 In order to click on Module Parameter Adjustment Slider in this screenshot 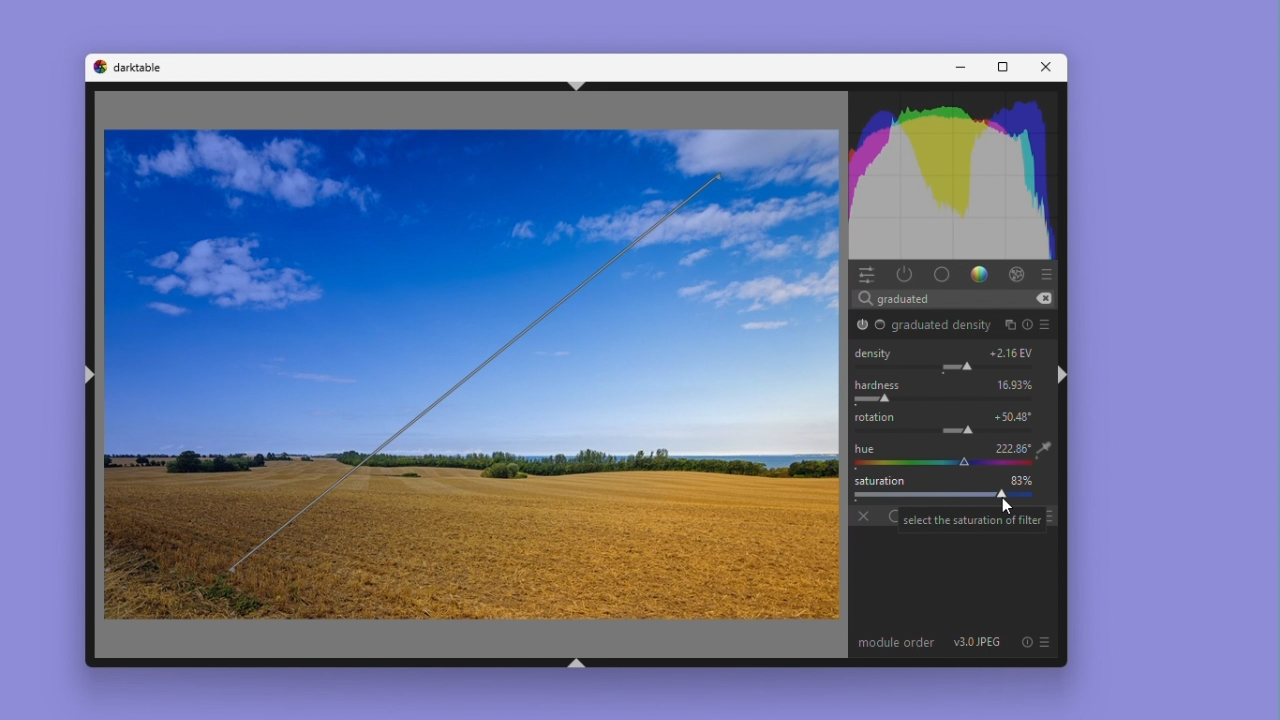, I will do `click(949, 367)`.